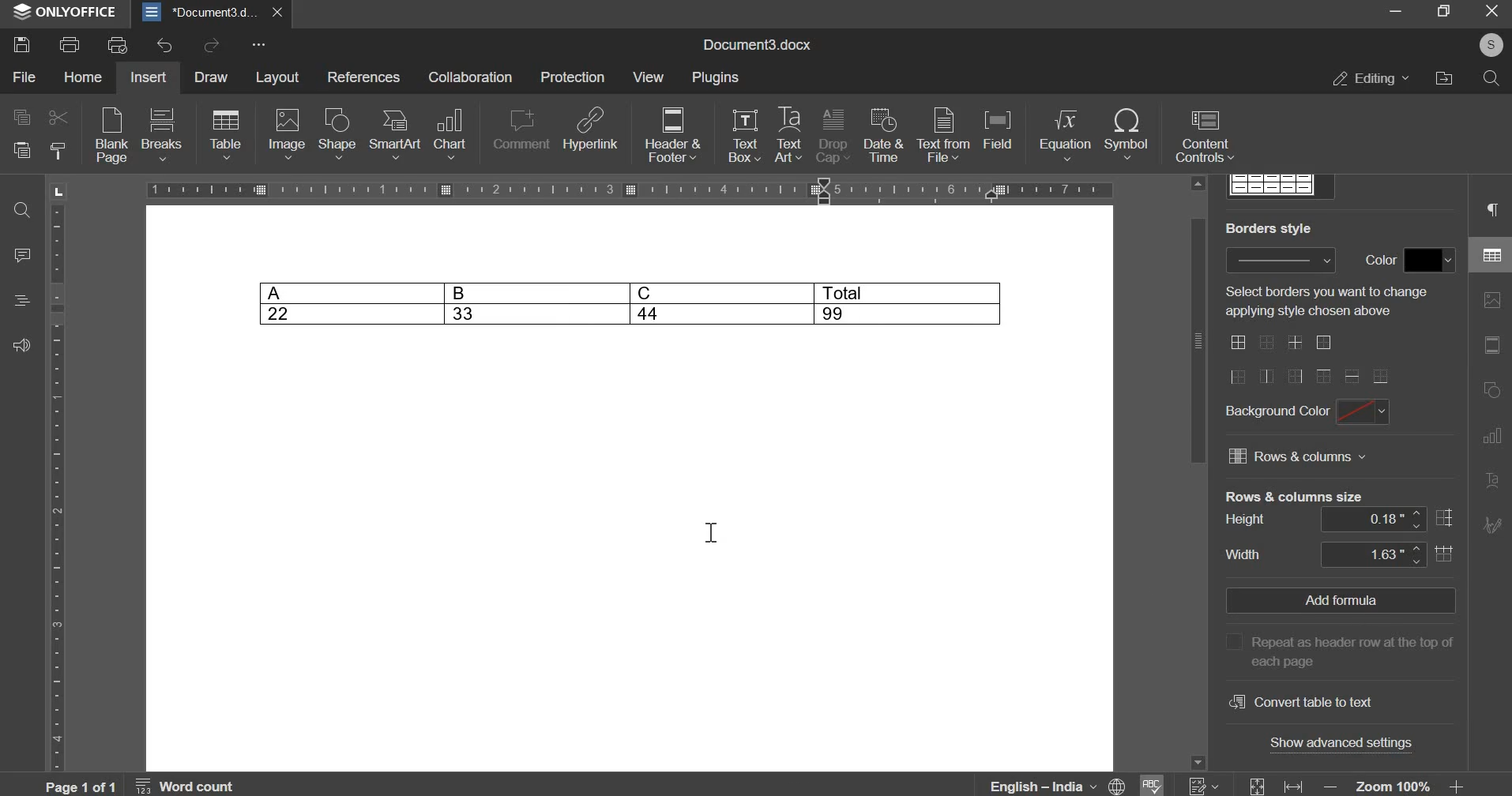  I want to click on blank page, so click(110, 137).